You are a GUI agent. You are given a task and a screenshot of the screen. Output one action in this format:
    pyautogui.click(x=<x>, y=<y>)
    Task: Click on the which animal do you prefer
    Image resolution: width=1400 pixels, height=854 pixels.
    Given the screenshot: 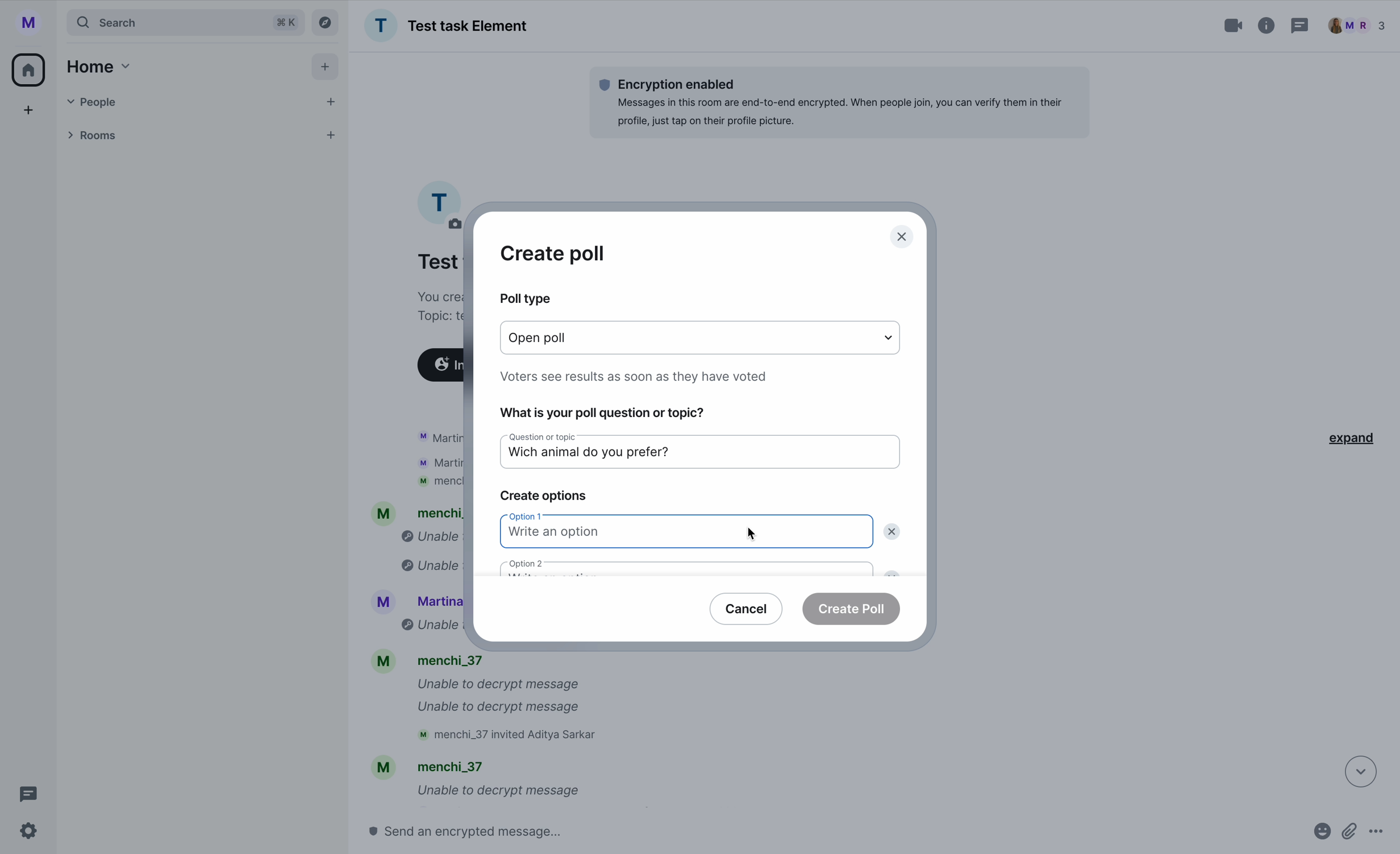 What is the action you would take?
    pyautogui.click(x=641, y=456)
    